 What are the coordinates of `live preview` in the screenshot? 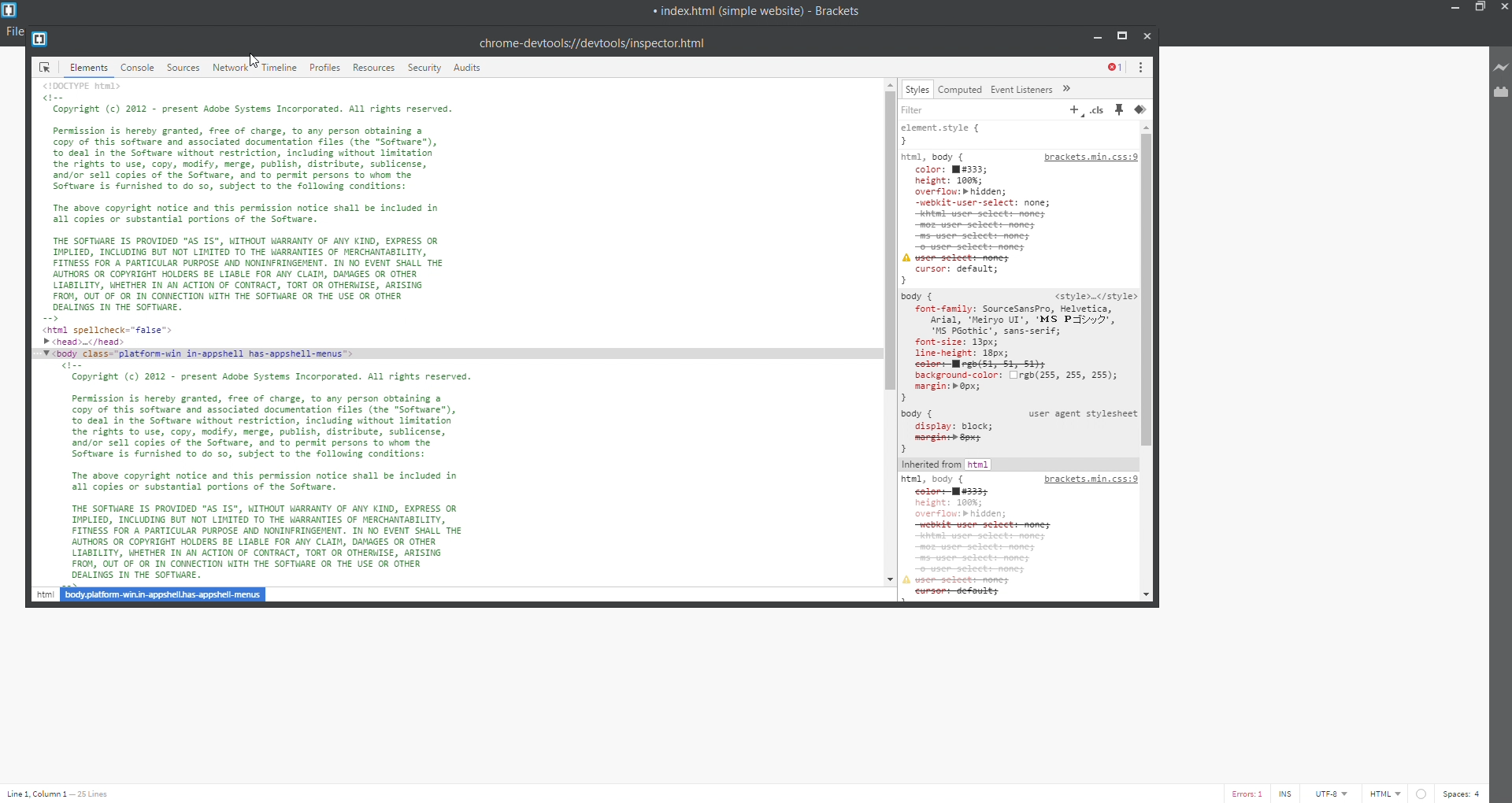 It's located at (1499, 68).